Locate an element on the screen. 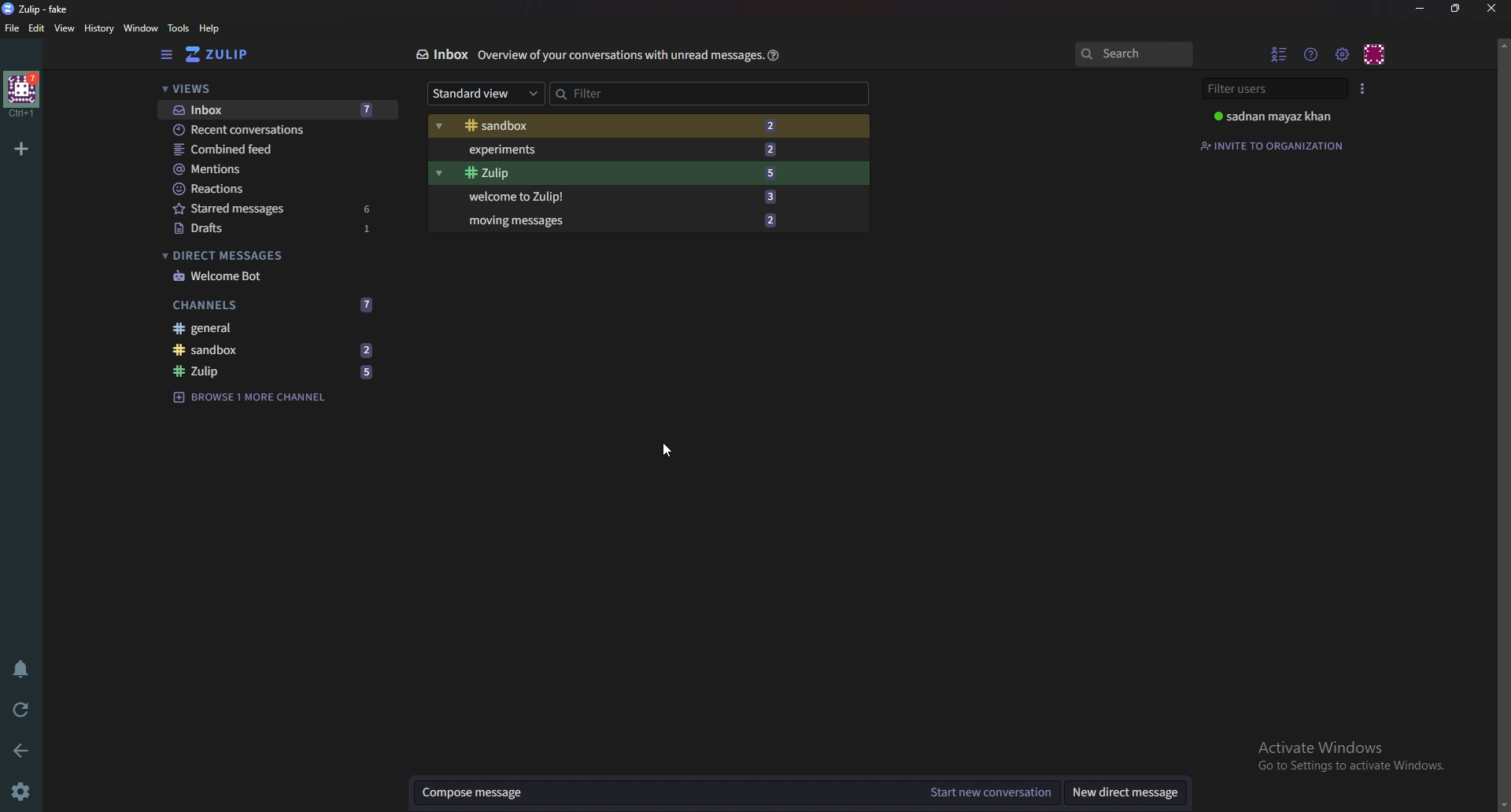  help is located at coordinates (210, 28).